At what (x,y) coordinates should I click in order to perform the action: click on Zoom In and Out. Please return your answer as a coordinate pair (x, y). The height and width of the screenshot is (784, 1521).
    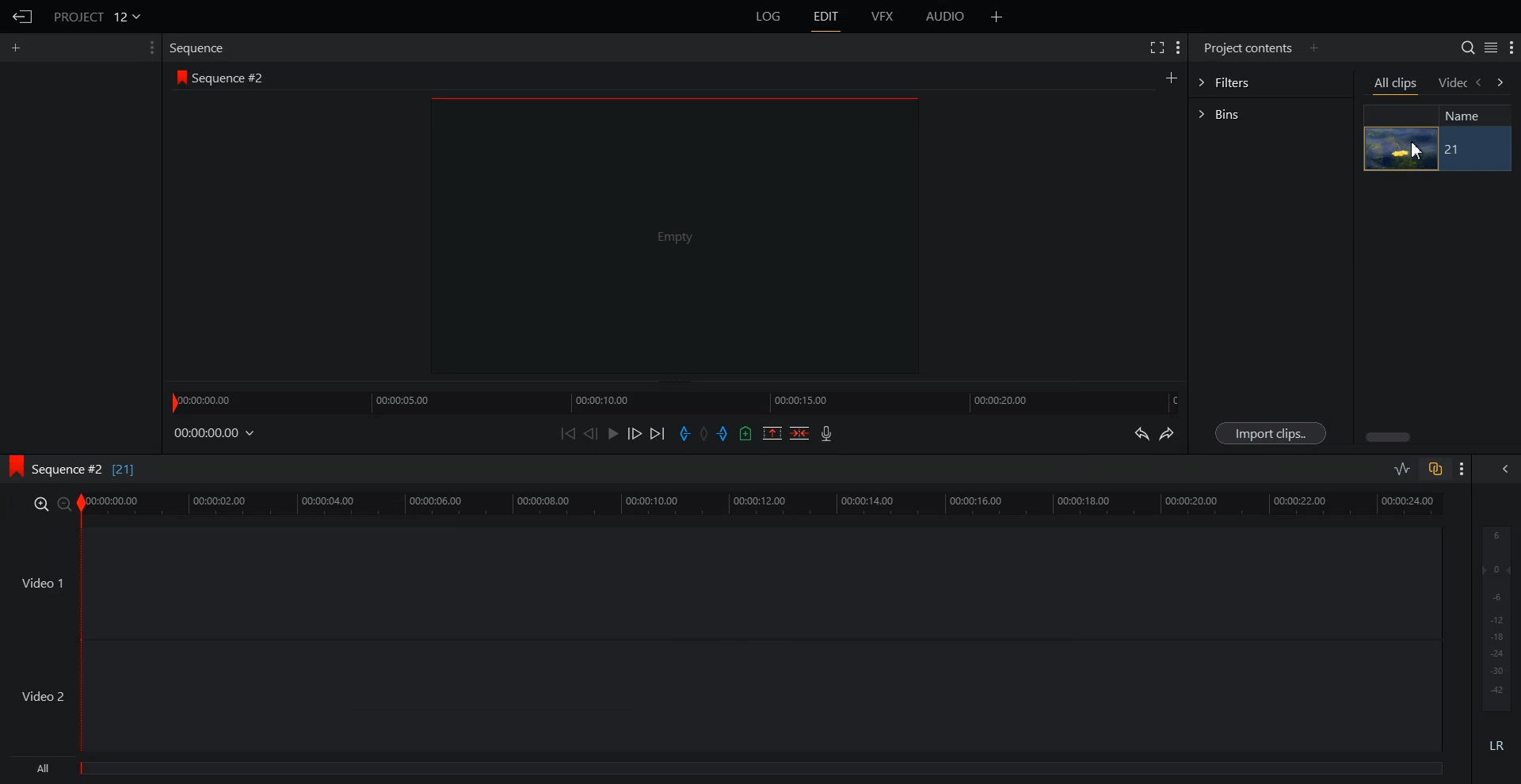
    Looking at the image, I should click on (52, 504).